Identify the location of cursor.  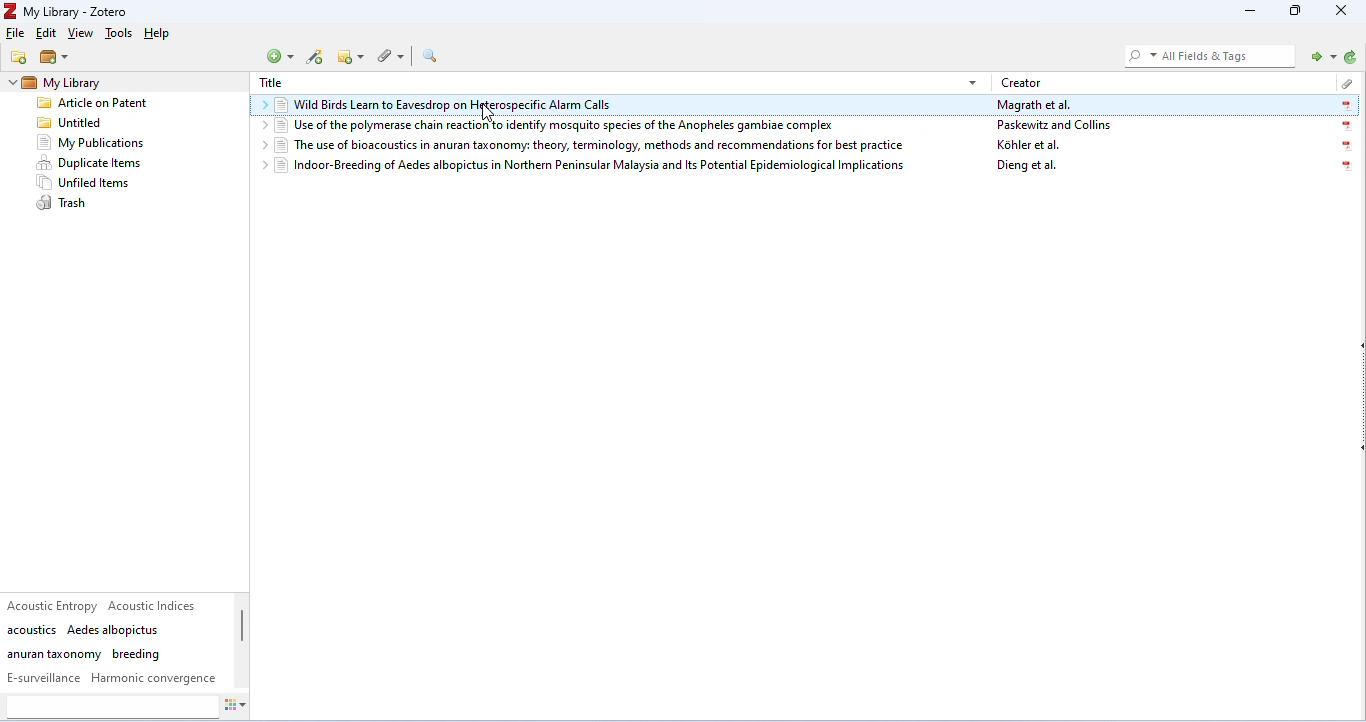
(489, 112).